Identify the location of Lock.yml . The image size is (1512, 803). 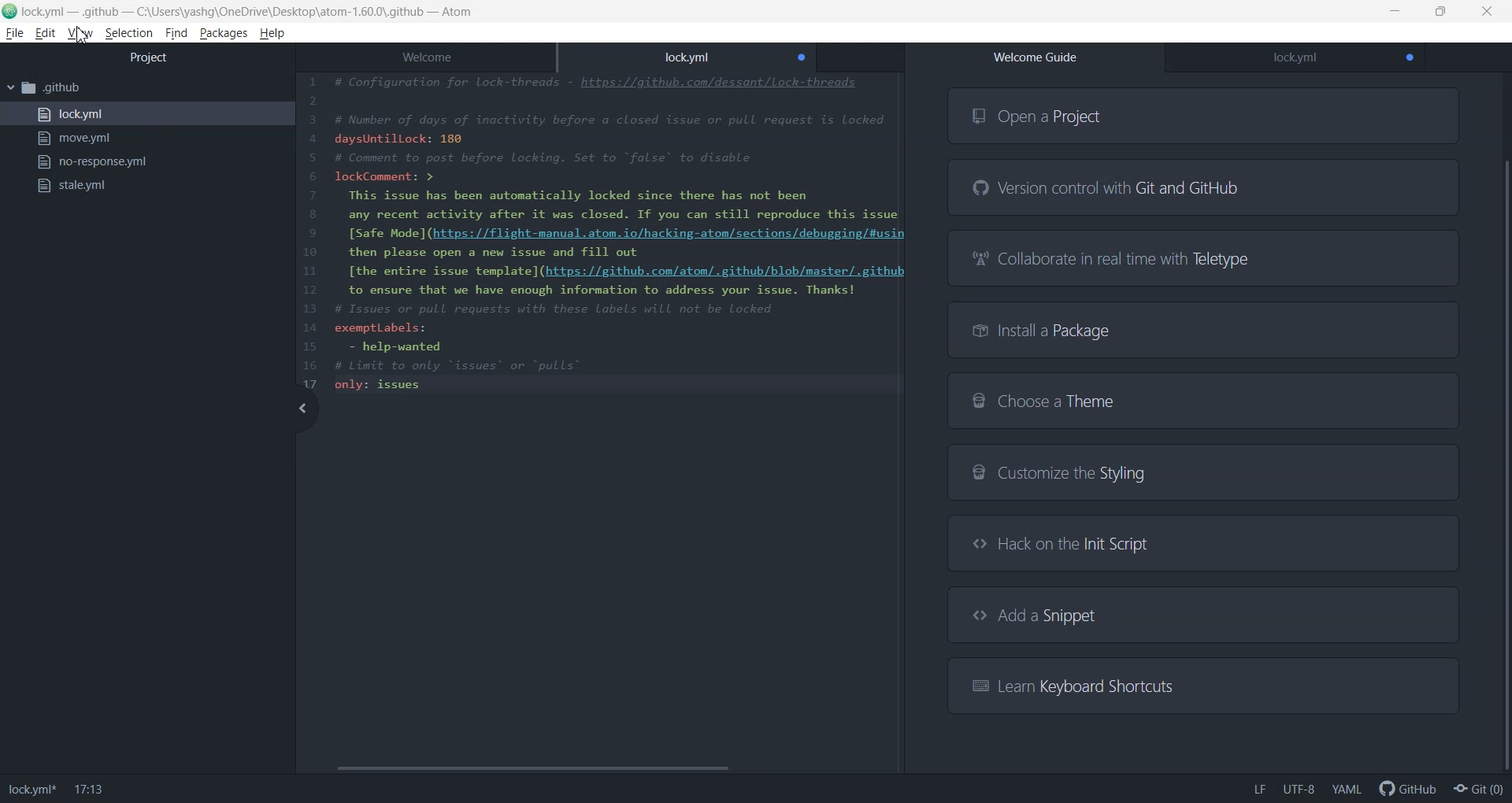
(31, 790).